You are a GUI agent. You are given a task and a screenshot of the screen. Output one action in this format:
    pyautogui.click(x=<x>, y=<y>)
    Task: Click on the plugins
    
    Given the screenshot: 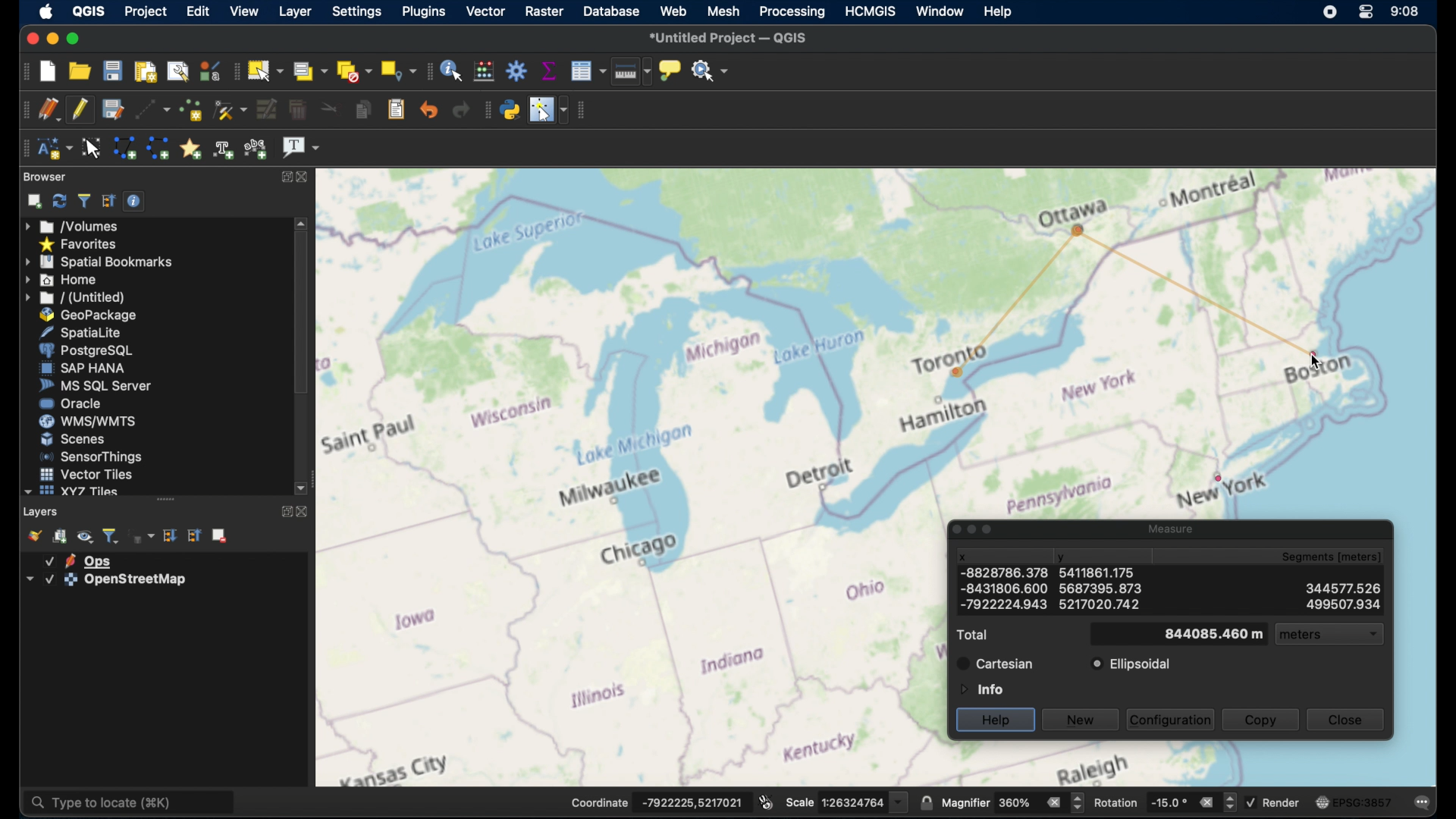 What is the action you would take?
    pyautogui.click(x=422, y=12)
    